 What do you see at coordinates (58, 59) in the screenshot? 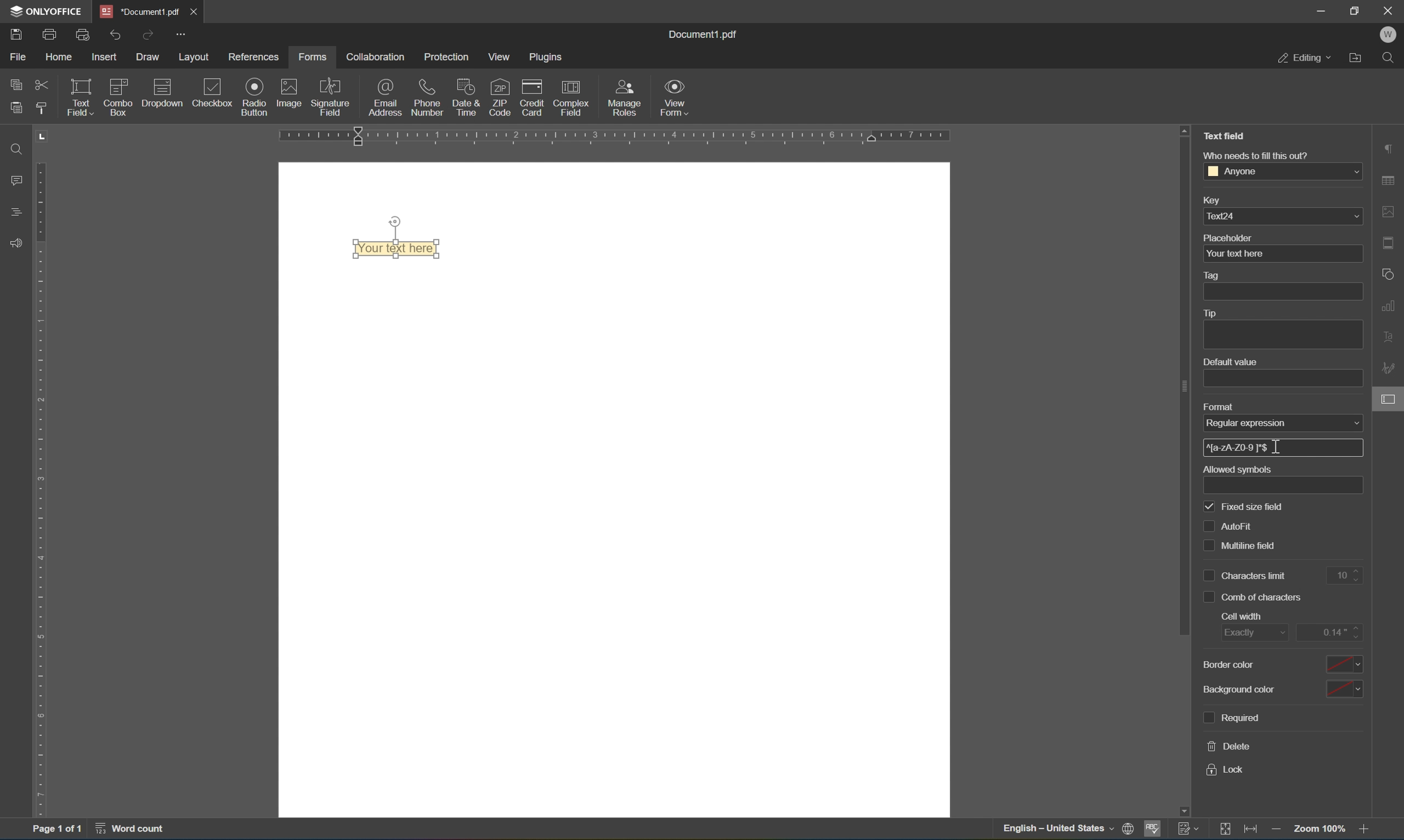
I see `home` at bounding box center [58, 59].